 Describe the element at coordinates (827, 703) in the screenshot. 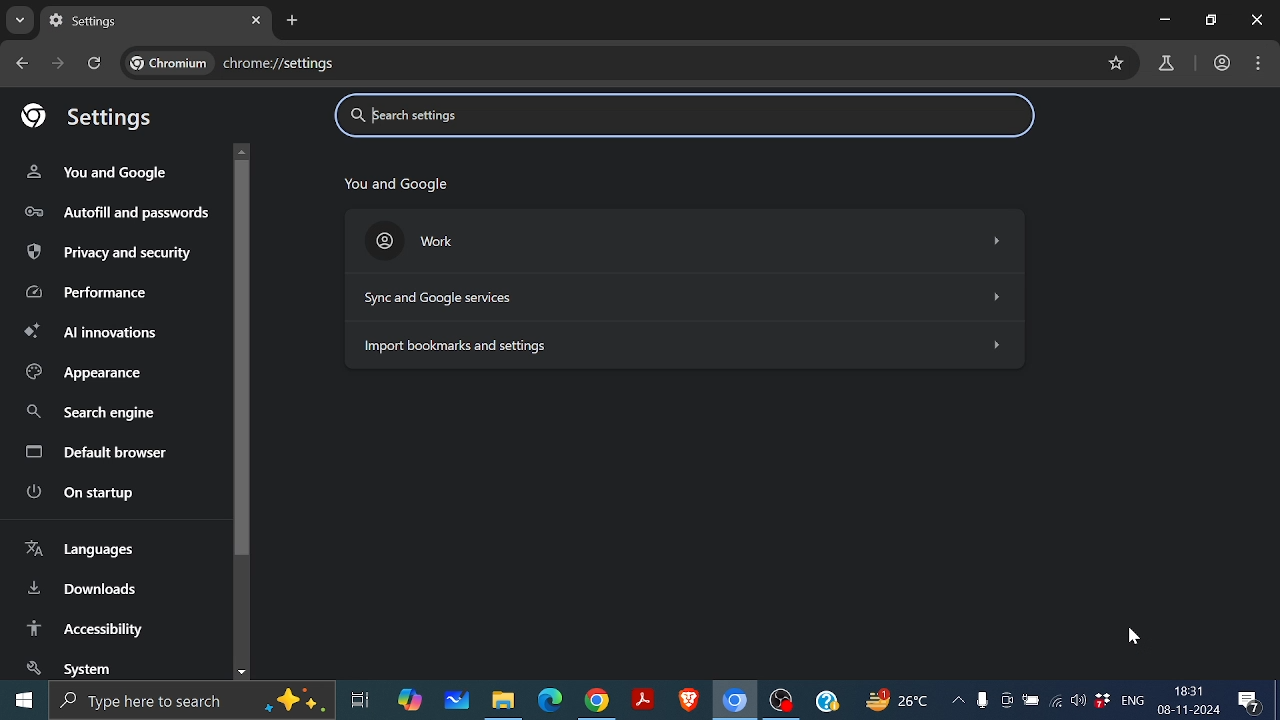

I see `help` at that location.